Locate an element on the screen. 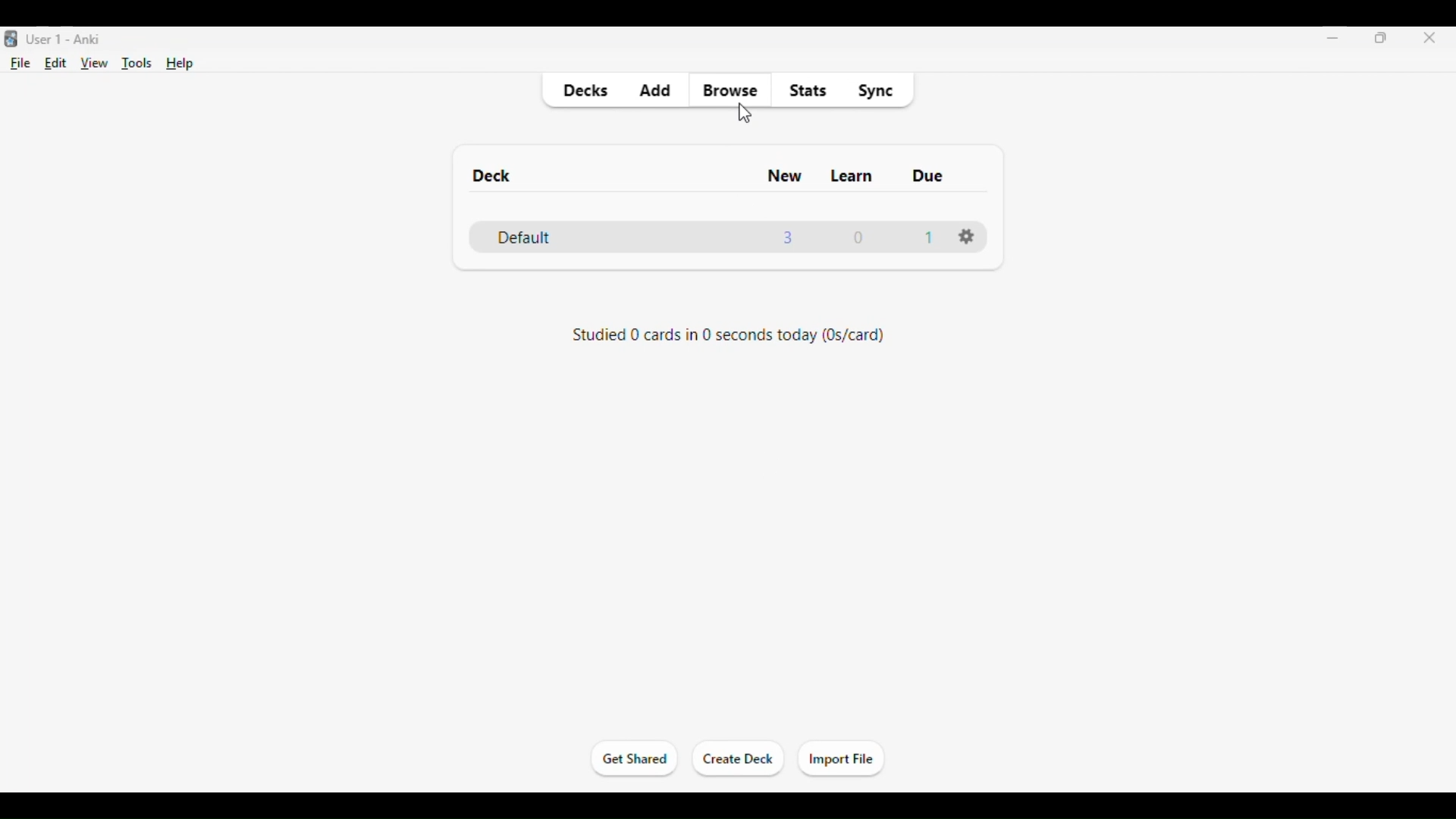  cursor is located at coordinates (745, 111).